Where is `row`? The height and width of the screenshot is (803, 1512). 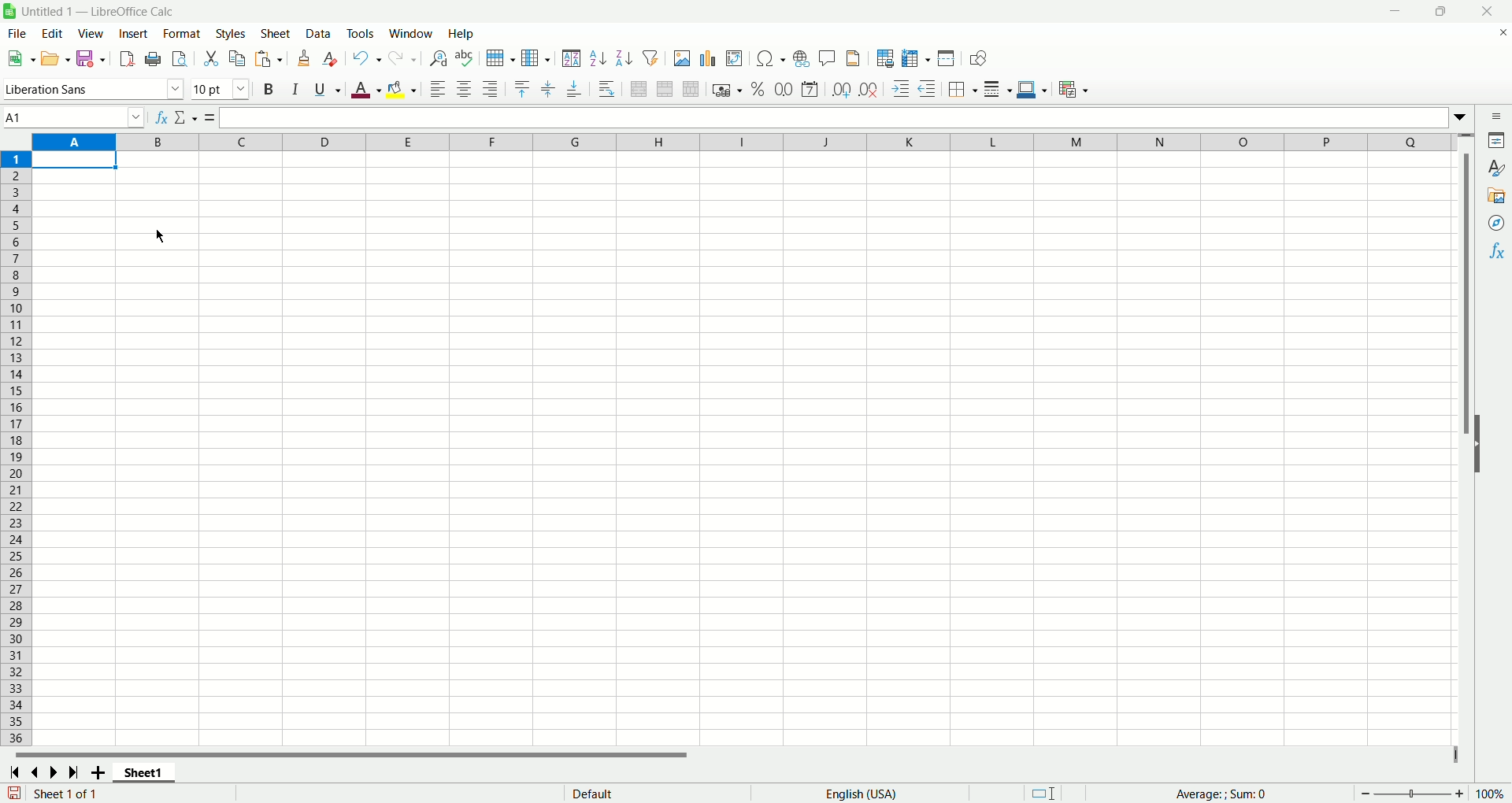
row is located at coordinates (502, 56).